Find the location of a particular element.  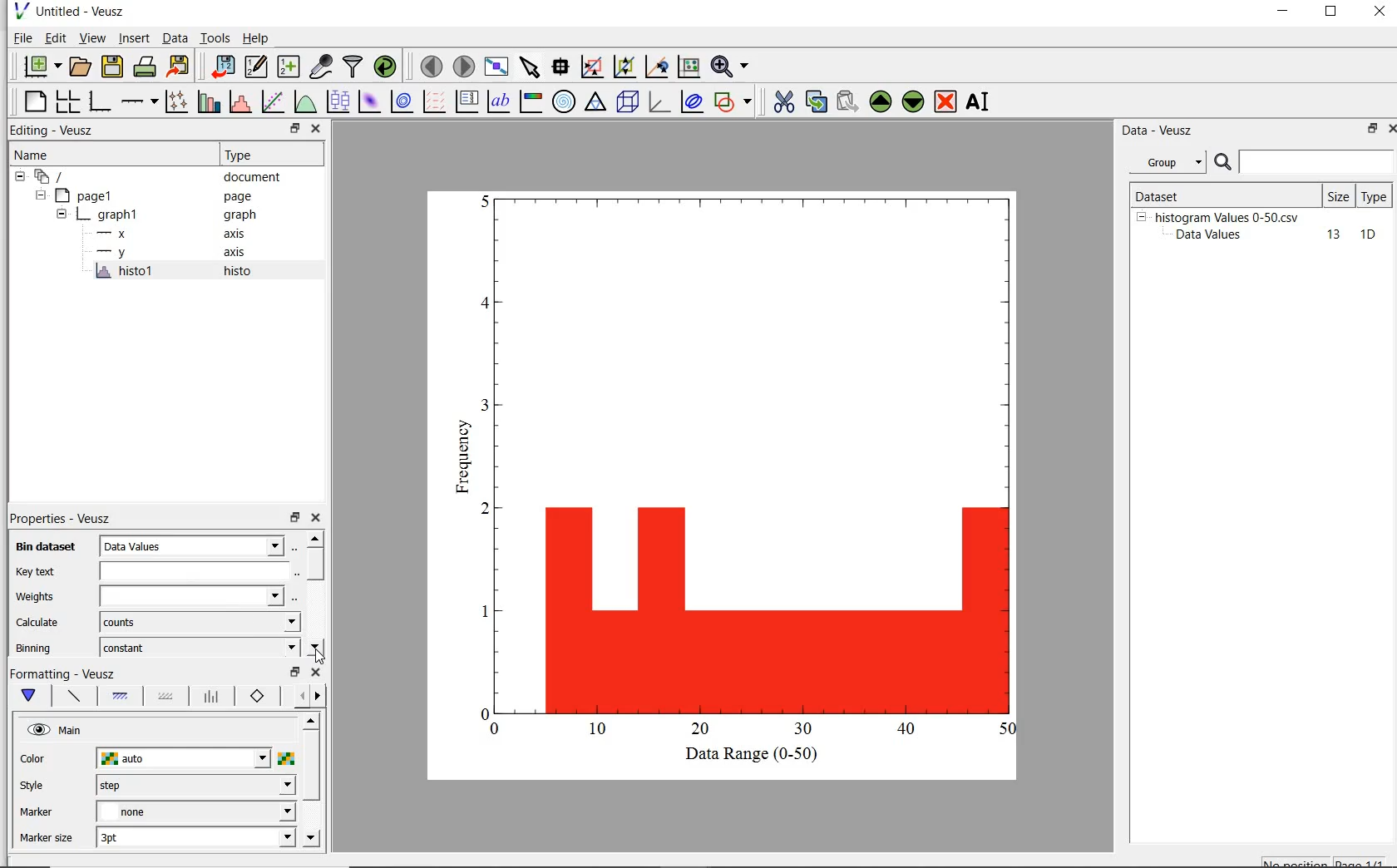

Data Values is located at coordinates (1214, 235).